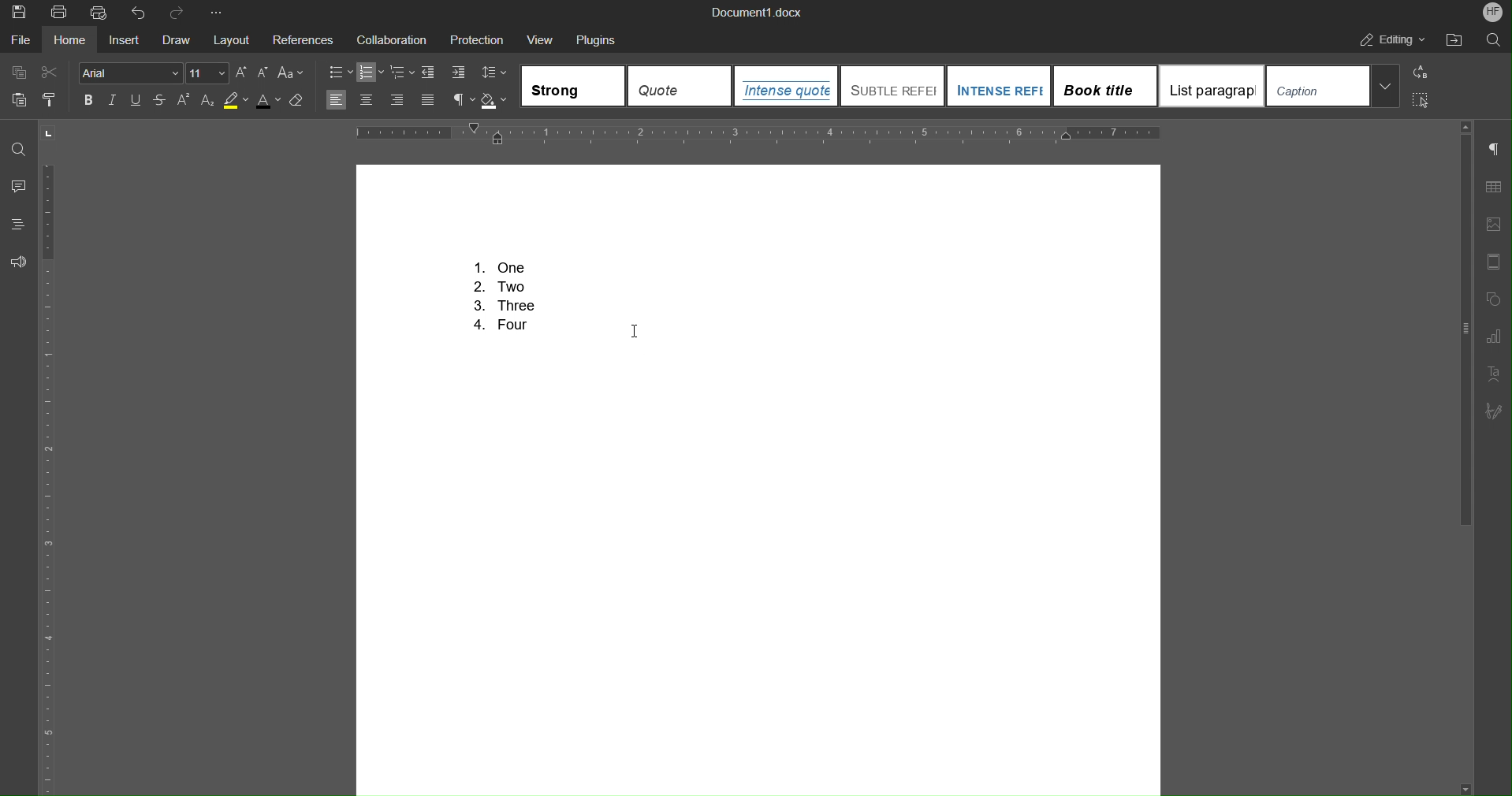 This screenshot has height=796, width=1512. I want to click on Horizontal Ruler, so click(759, 134).